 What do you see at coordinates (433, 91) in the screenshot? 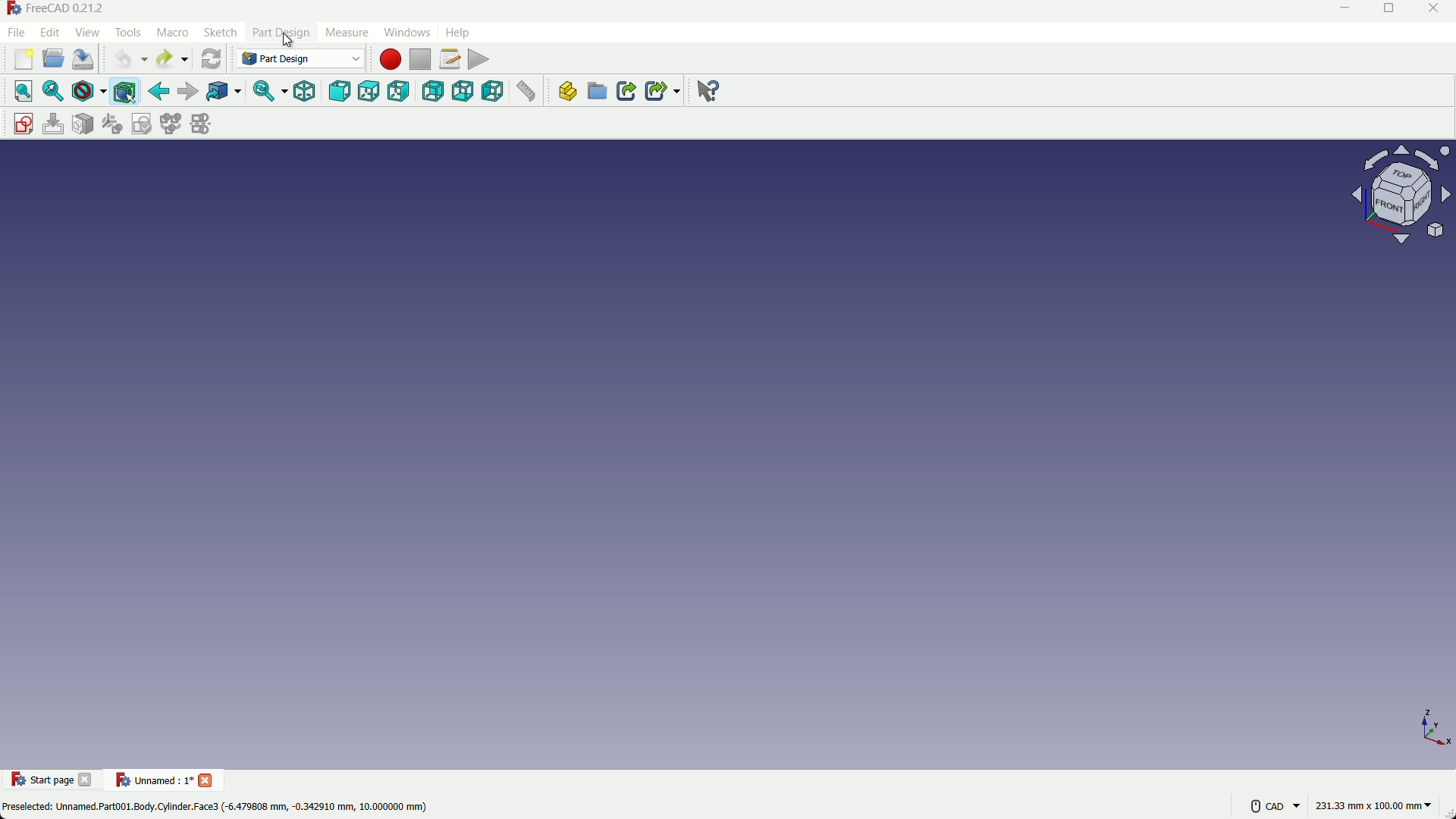
I see `back view` at bounding box center [433, 91].